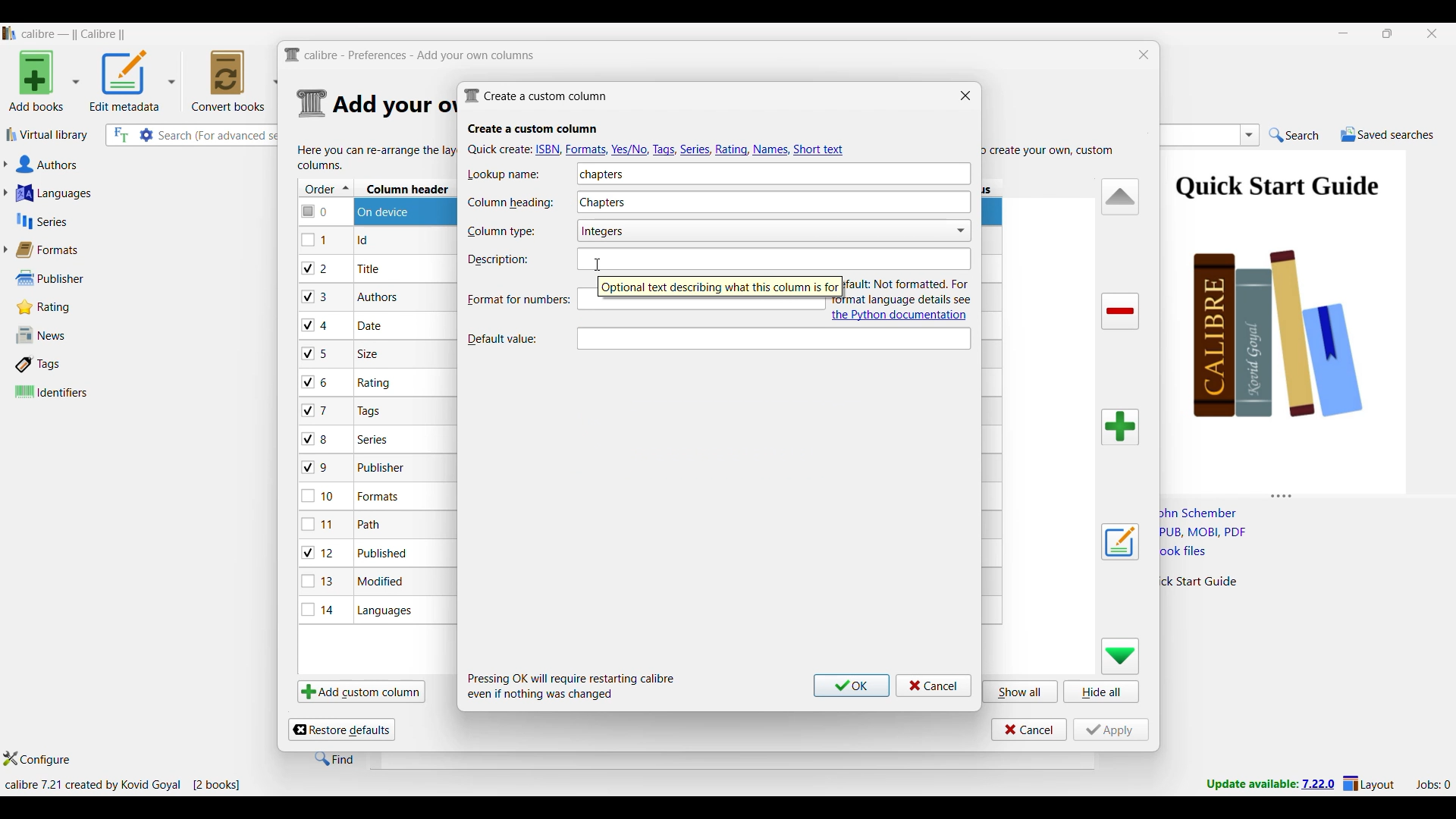  I want to click on New version update notifcation, so click(1270, 783).